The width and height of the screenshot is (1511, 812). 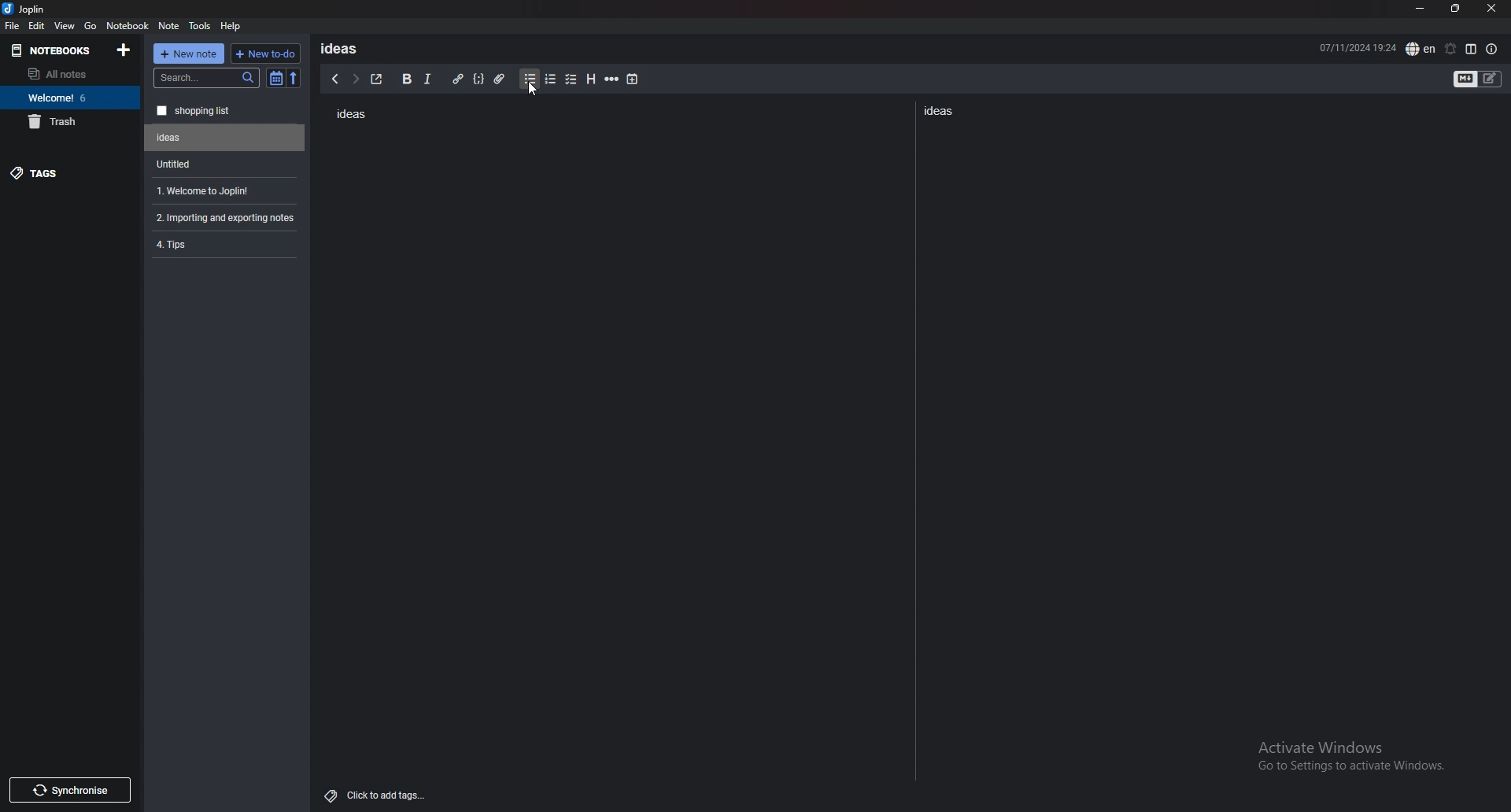 What do you see at coordinates (1455, 9) in the screenshot?
I see `resize` at bounding box center [1455, 9].